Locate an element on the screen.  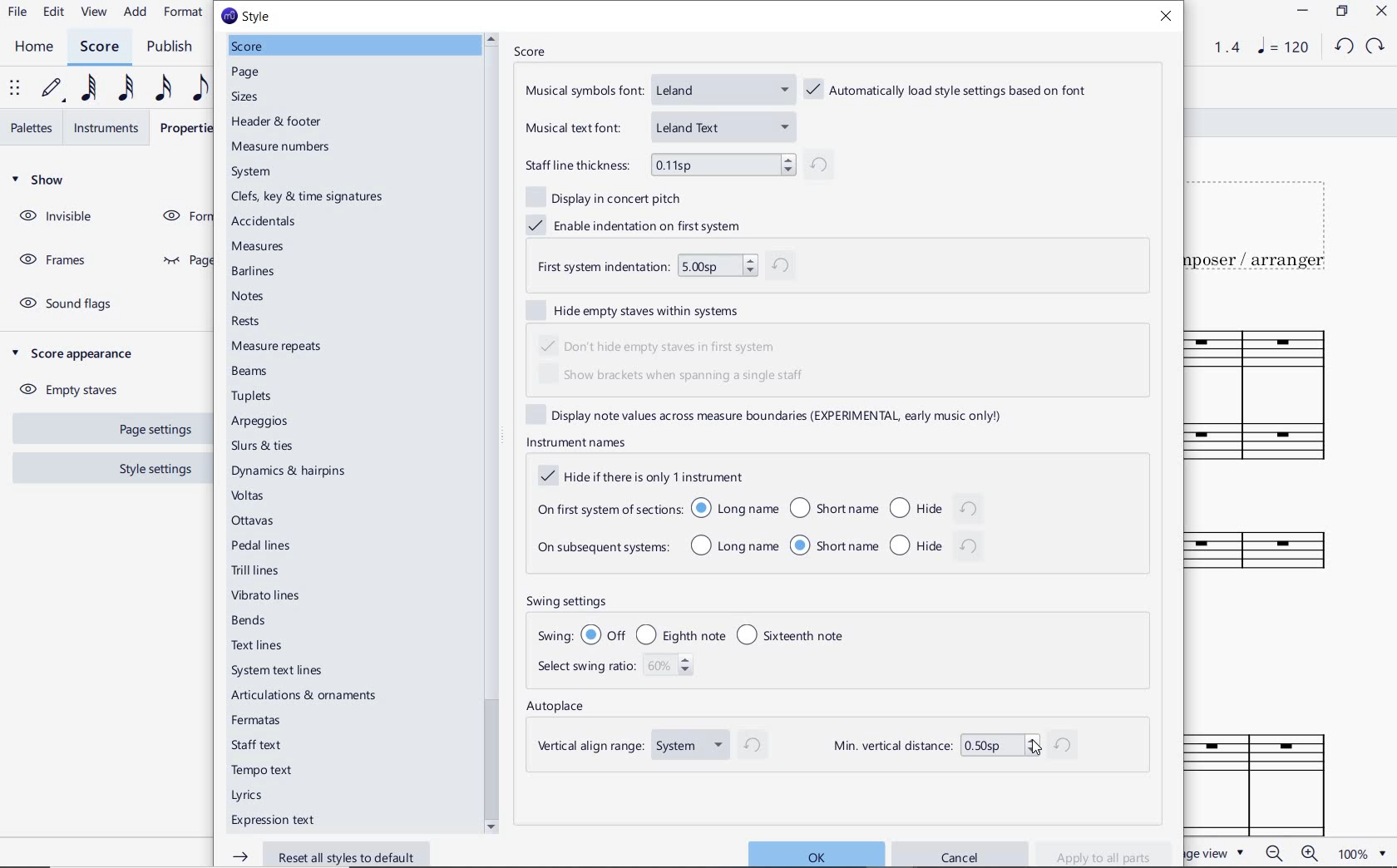
STYLE SETTINGS is located at coordinates (154, 468).